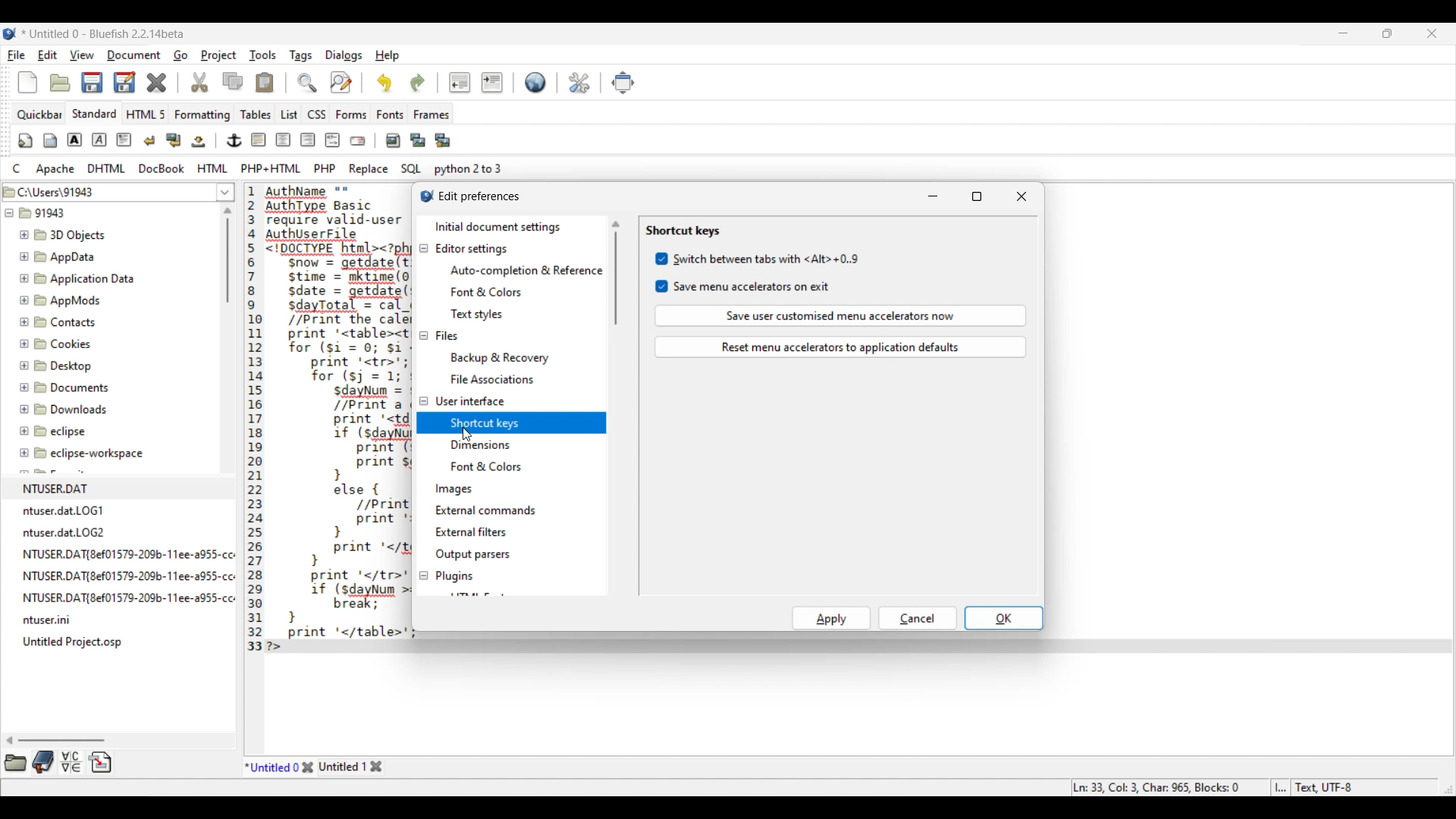 The width and height of the screenshot is (1456, 819). I want to click on Close interface, so click(1432, 33).